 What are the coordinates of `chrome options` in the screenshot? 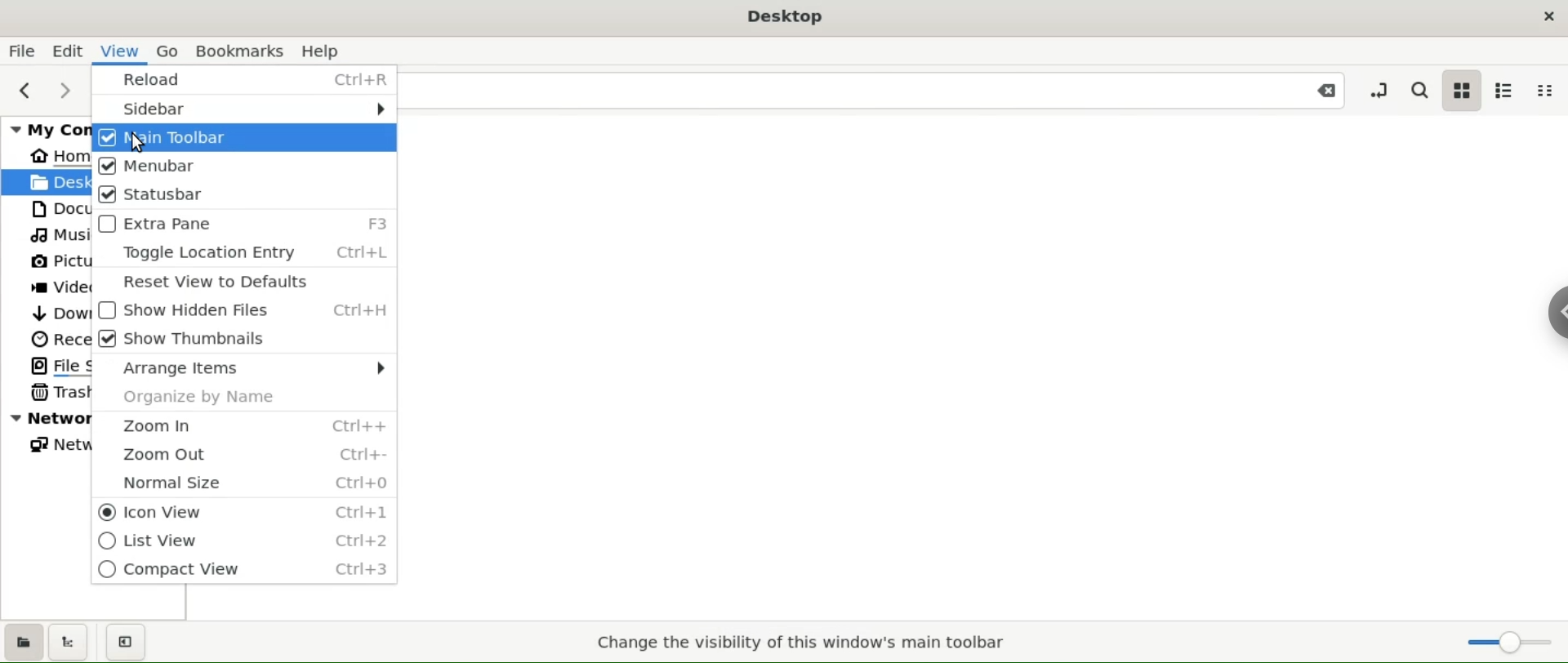 It's located at (1552, 318).